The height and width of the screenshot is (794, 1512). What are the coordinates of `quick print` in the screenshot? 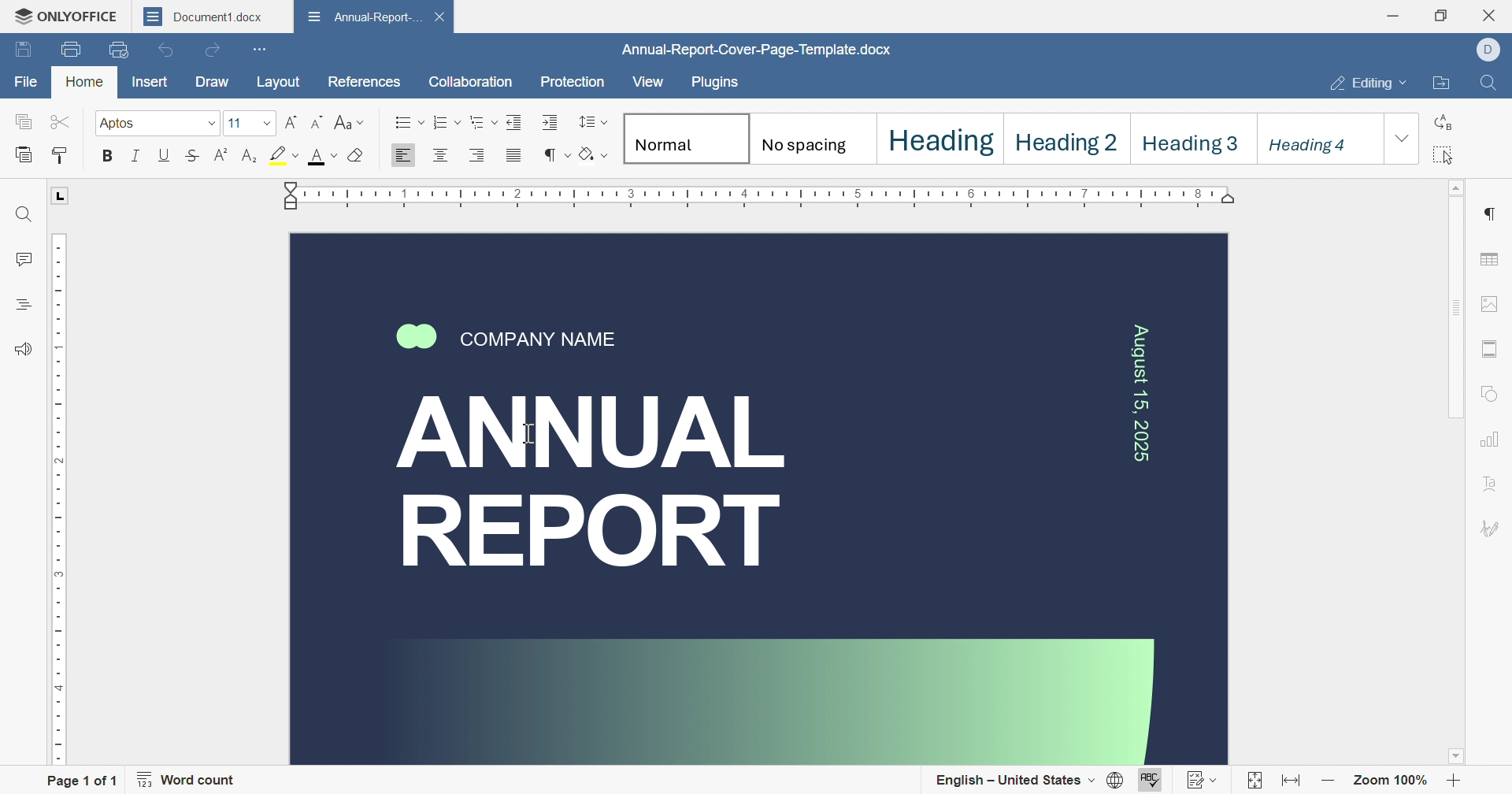 It's located at (117, 48).